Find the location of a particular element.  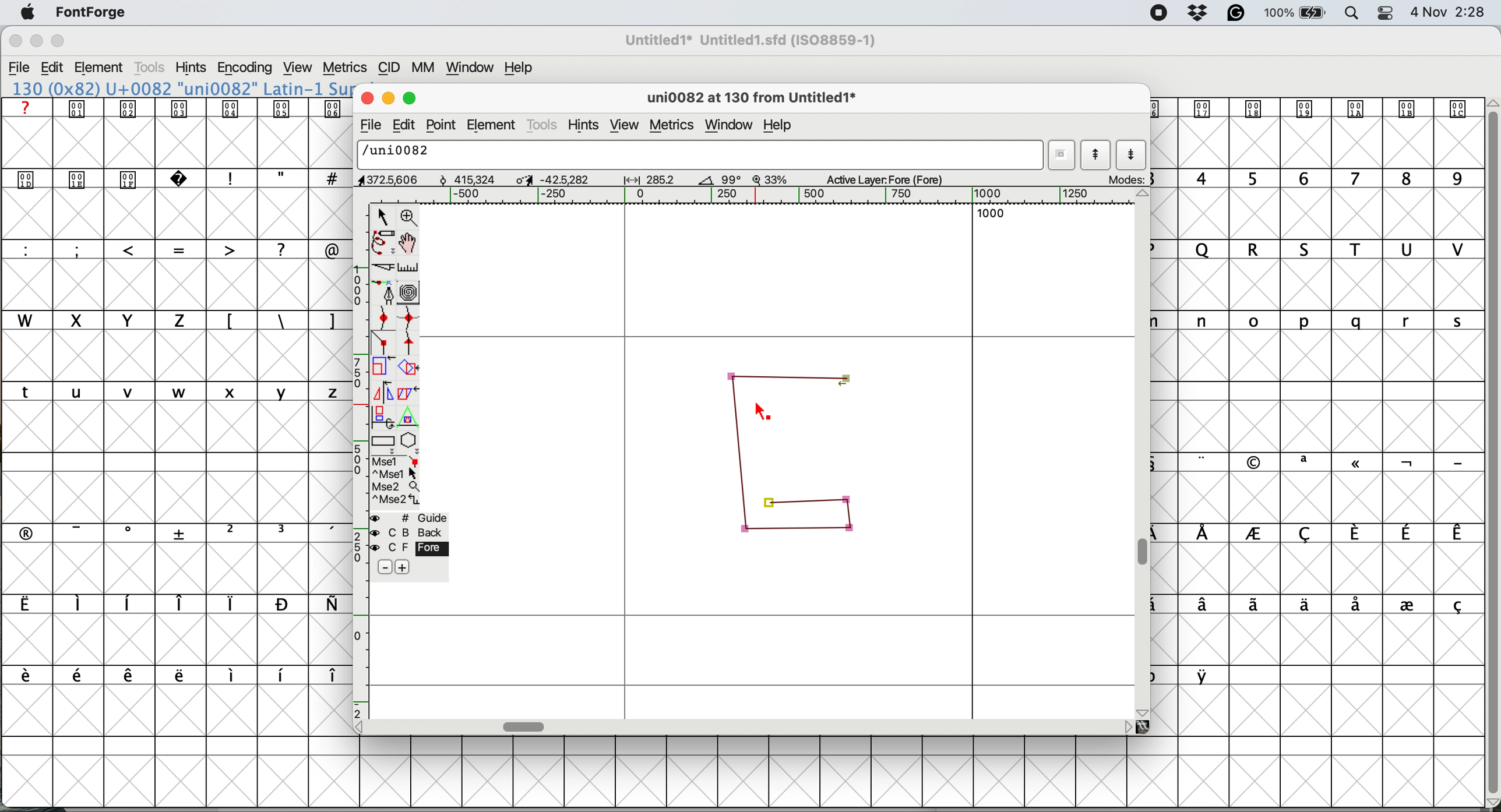

tools is located at coordinates (543, 126).